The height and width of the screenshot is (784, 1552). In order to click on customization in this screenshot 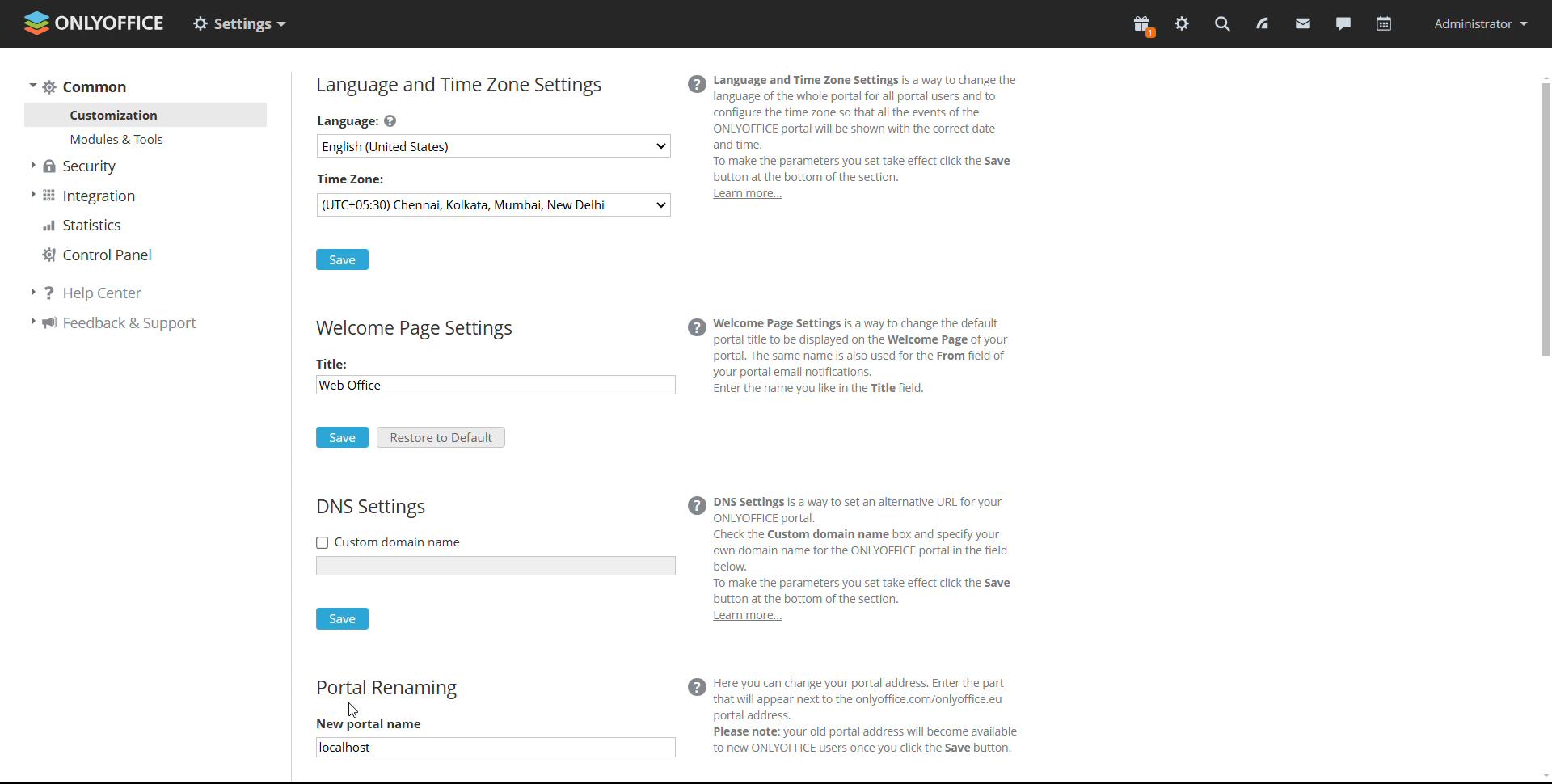, I will do `click(147, 115)`.